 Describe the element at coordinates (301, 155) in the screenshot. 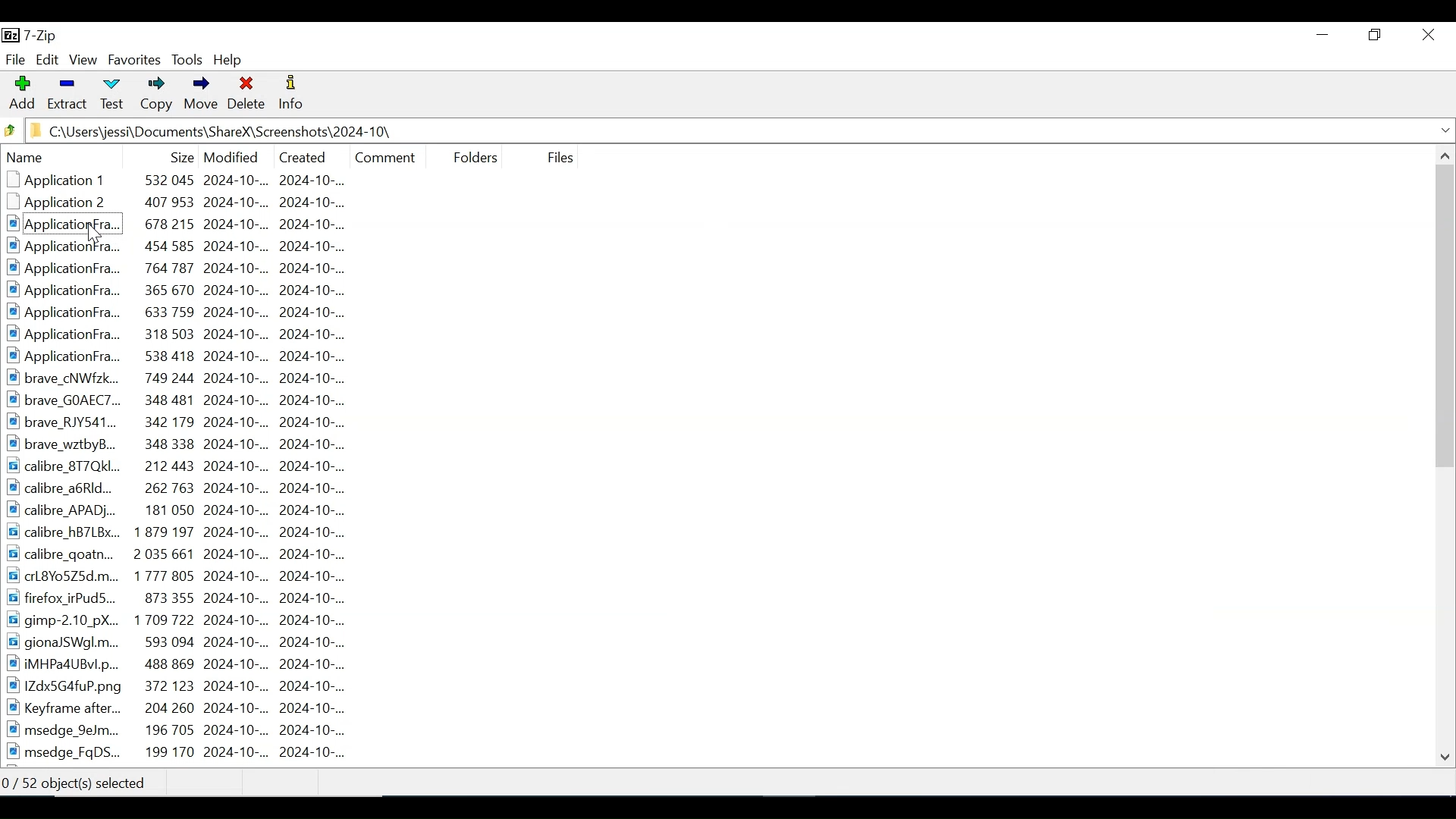

I see `Date Created` at that location.